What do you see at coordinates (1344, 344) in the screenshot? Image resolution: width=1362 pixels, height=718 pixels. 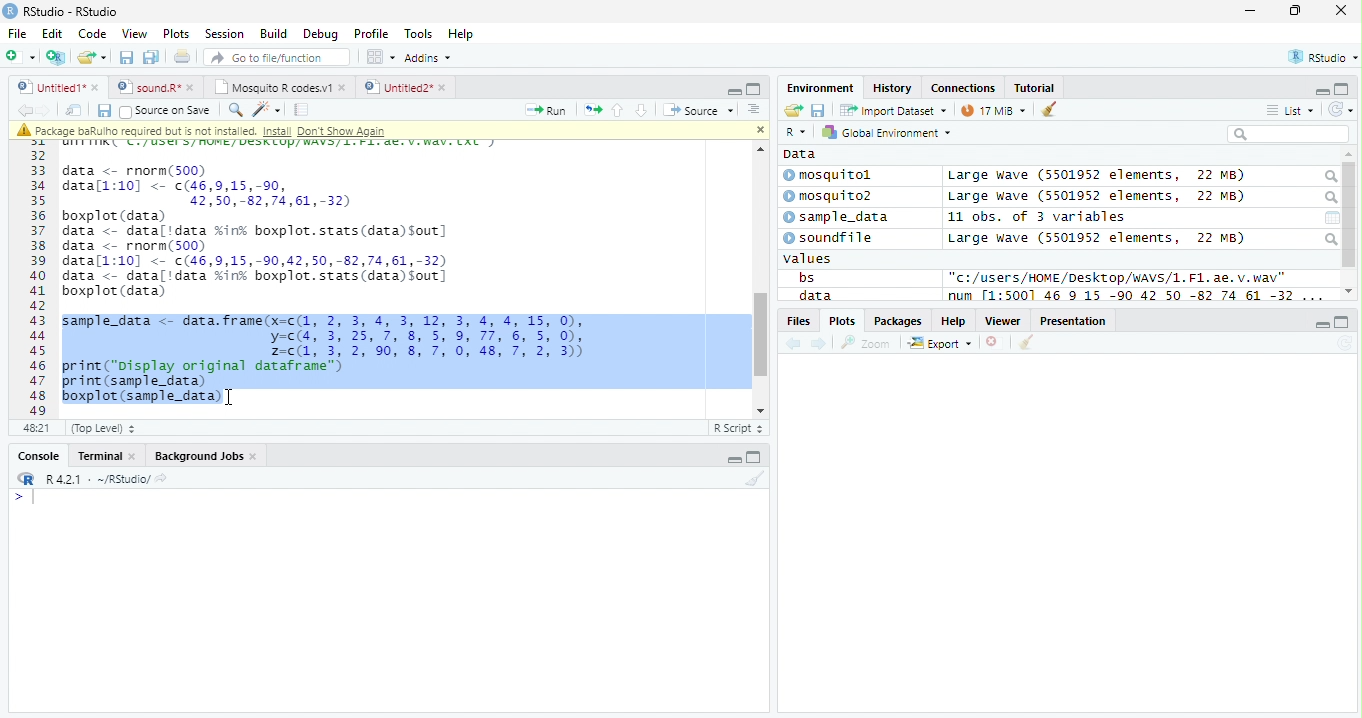 I see `Refresh` at bounding box center [1344, 344].